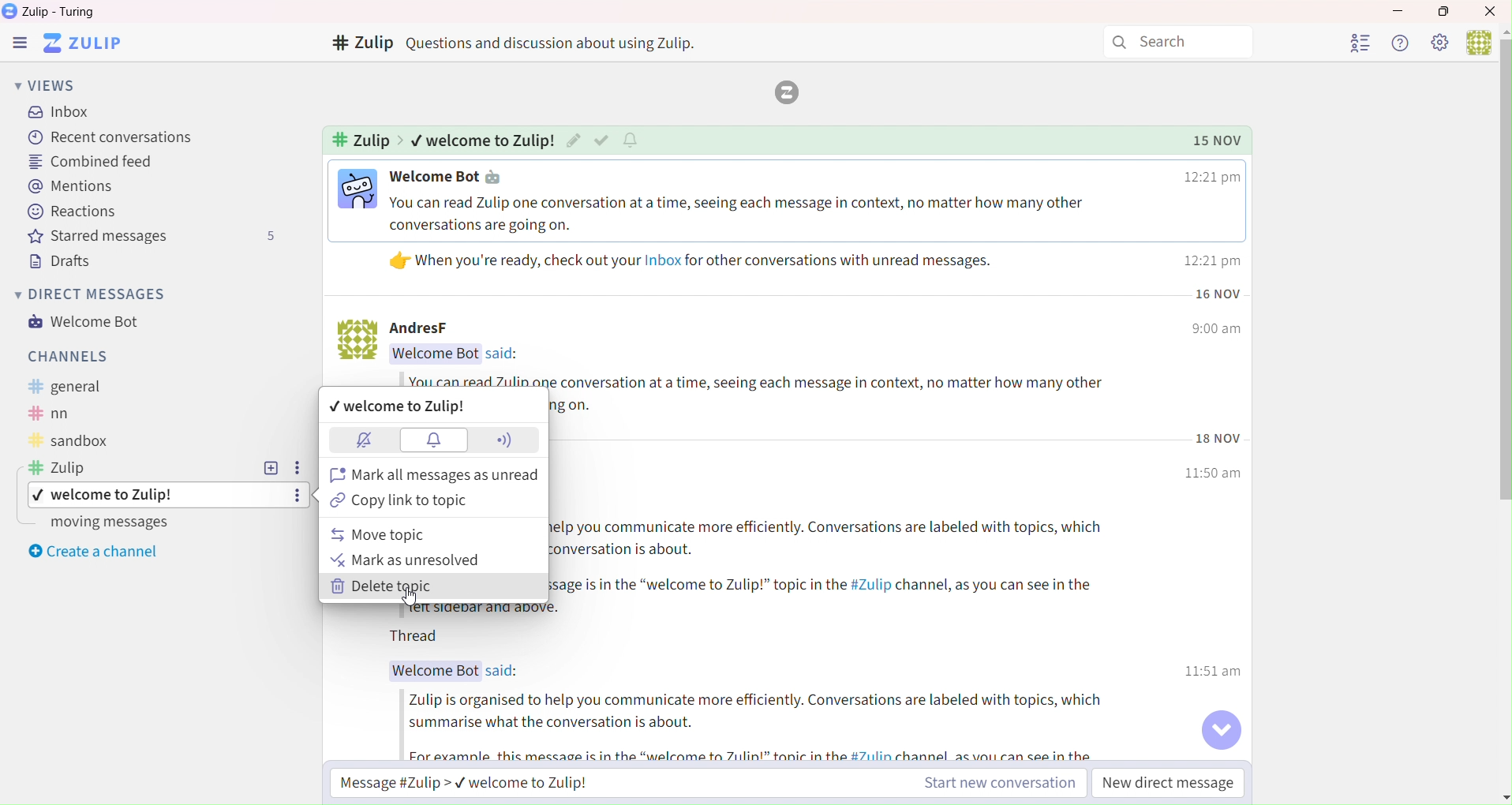  I want to click on Network, so click(504, 440).